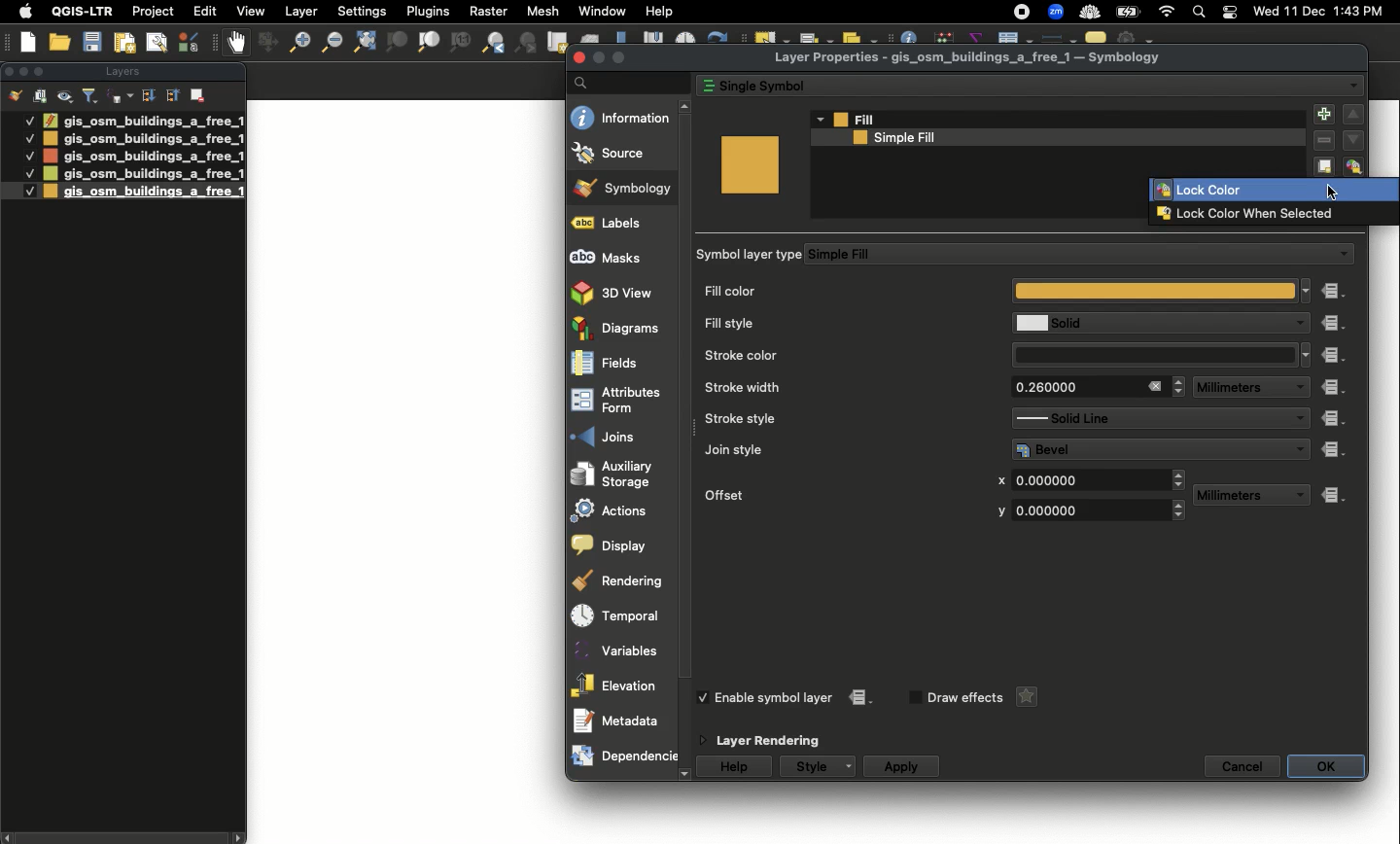  Describe the element at coordinates (542, 11) in the screenshot. I see `Mesh` at that location.